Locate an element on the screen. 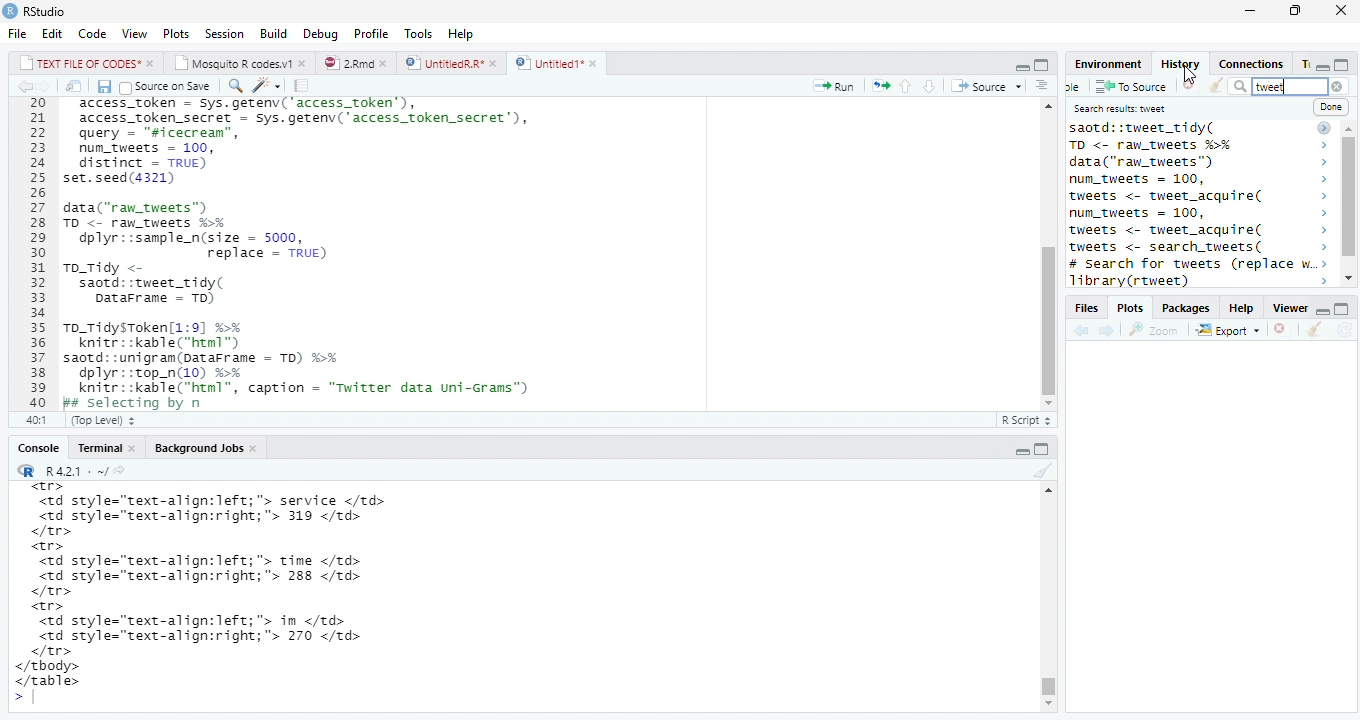 The image size is (1360, 720). Console is located at coordinates (32, 447).